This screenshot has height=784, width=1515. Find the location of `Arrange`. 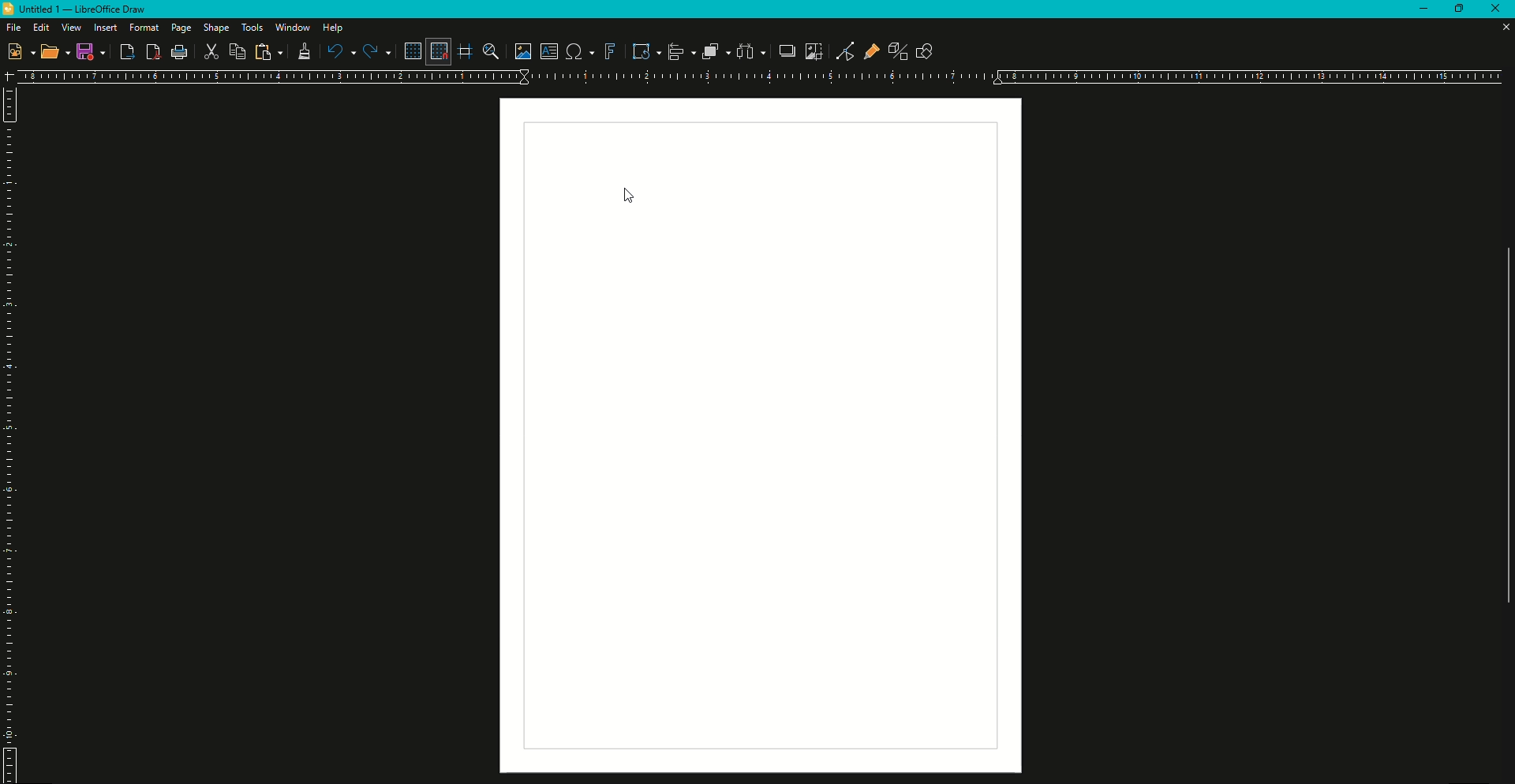

Arrange is located at coordinates (712, 51).